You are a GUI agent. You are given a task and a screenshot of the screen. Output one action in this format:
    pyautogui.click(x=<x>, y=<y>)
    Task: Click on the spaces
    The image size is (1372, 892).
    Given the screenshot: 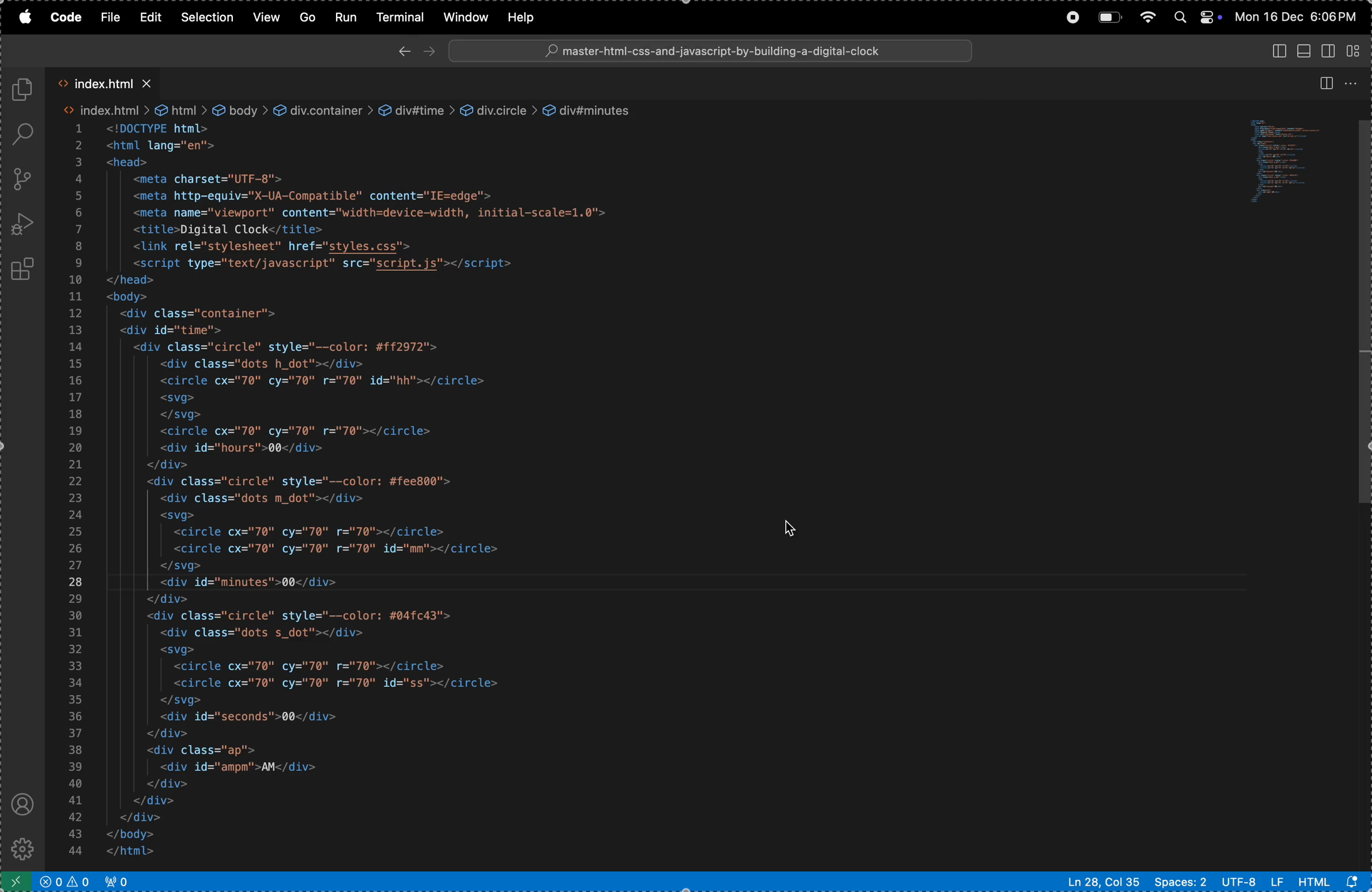 What is the action you would take?
    pyautogui.click(x=1178, y=882)
    